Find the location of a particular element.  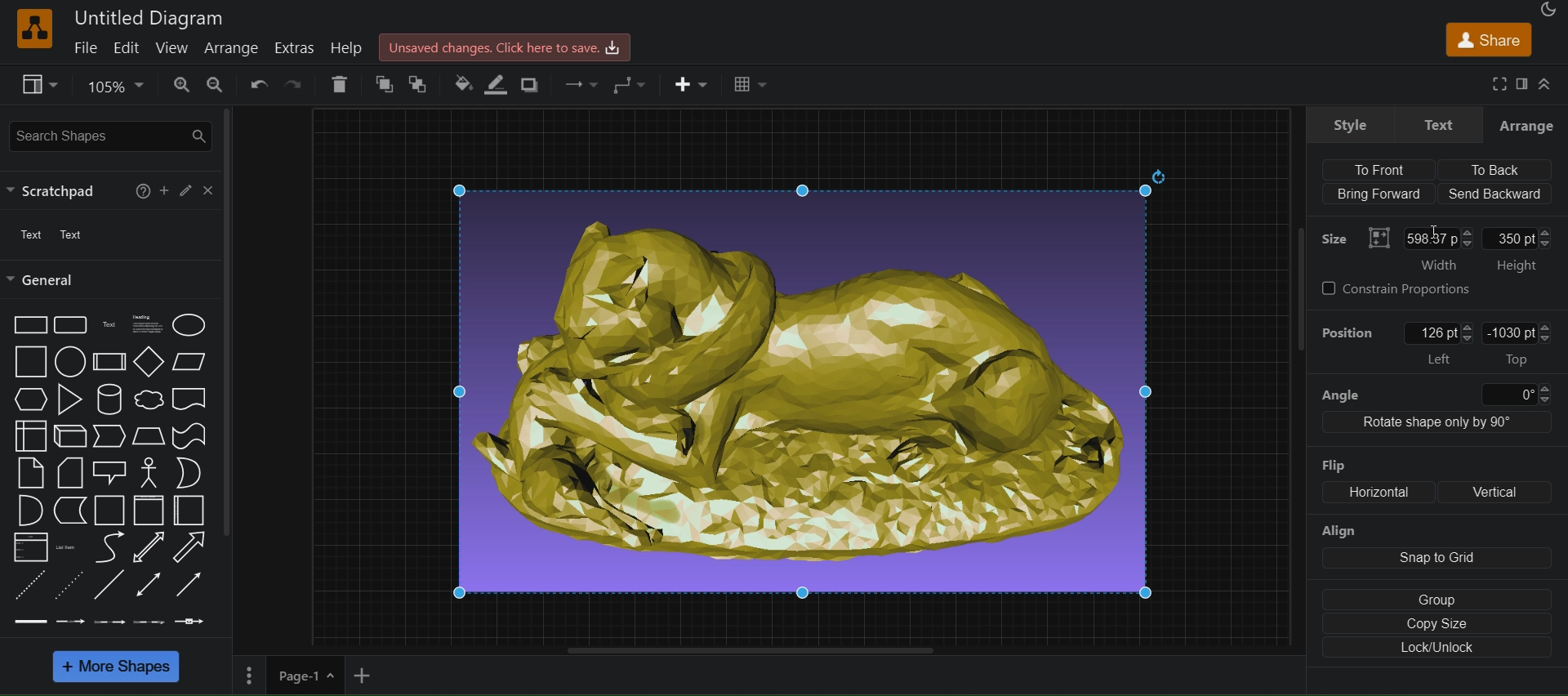

view is located at coordinates (169, 49).